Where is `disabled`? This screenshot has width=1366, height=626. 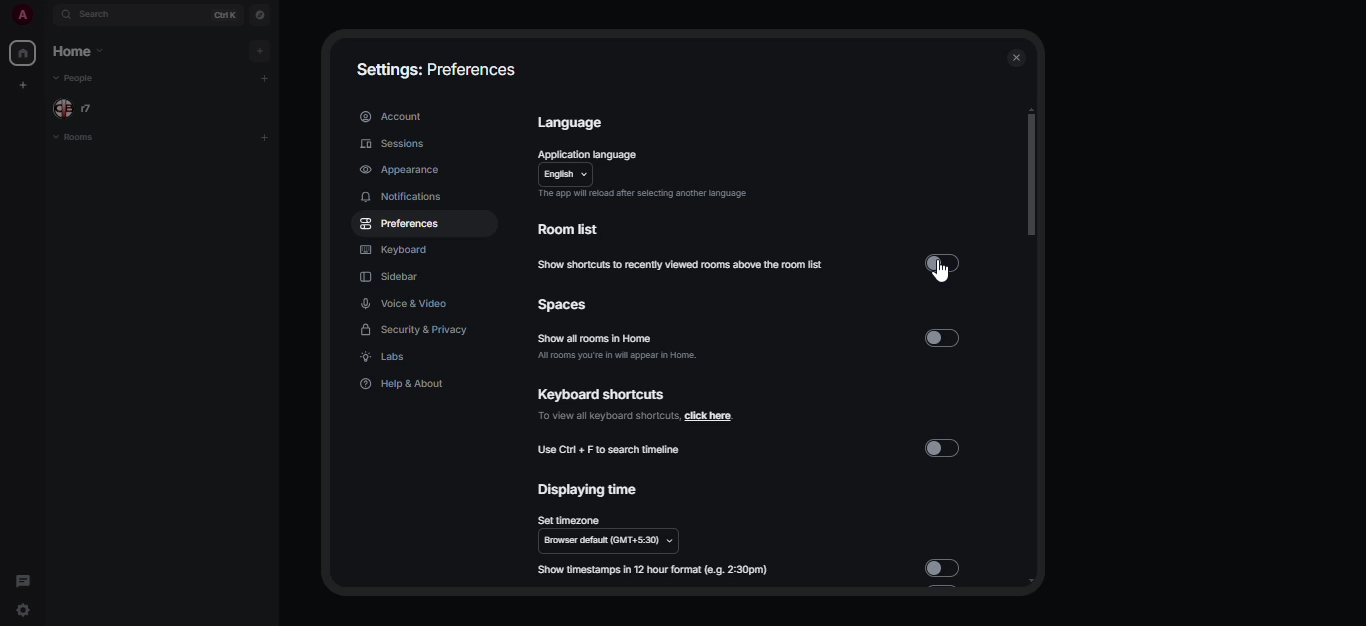 disabled is located at coordinates (943, 336).